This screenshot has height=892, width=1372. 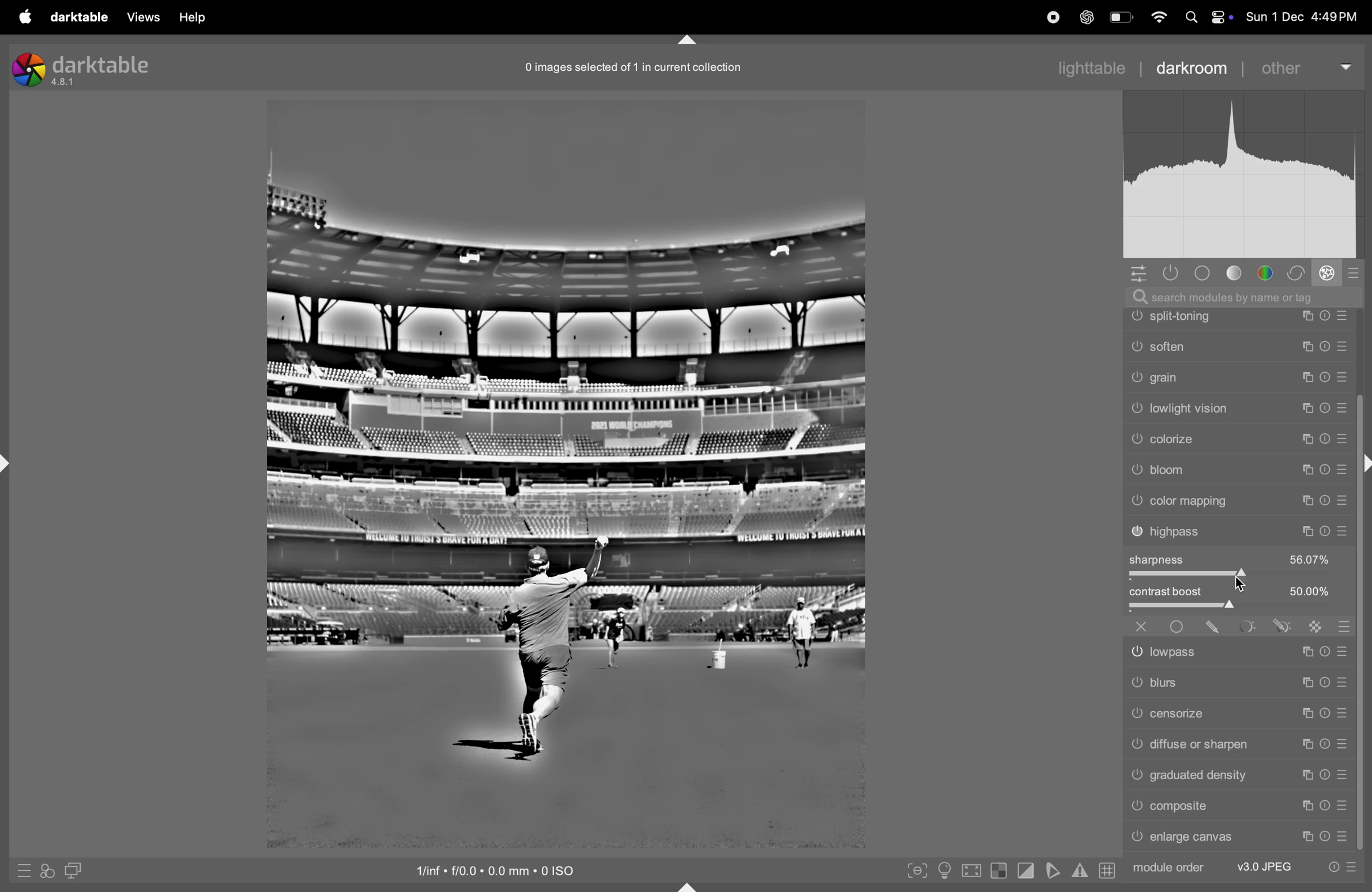 What do you see at coordinates (1206, 273) in the screenshot?
I see `base` at bounding box center [1206, 273].